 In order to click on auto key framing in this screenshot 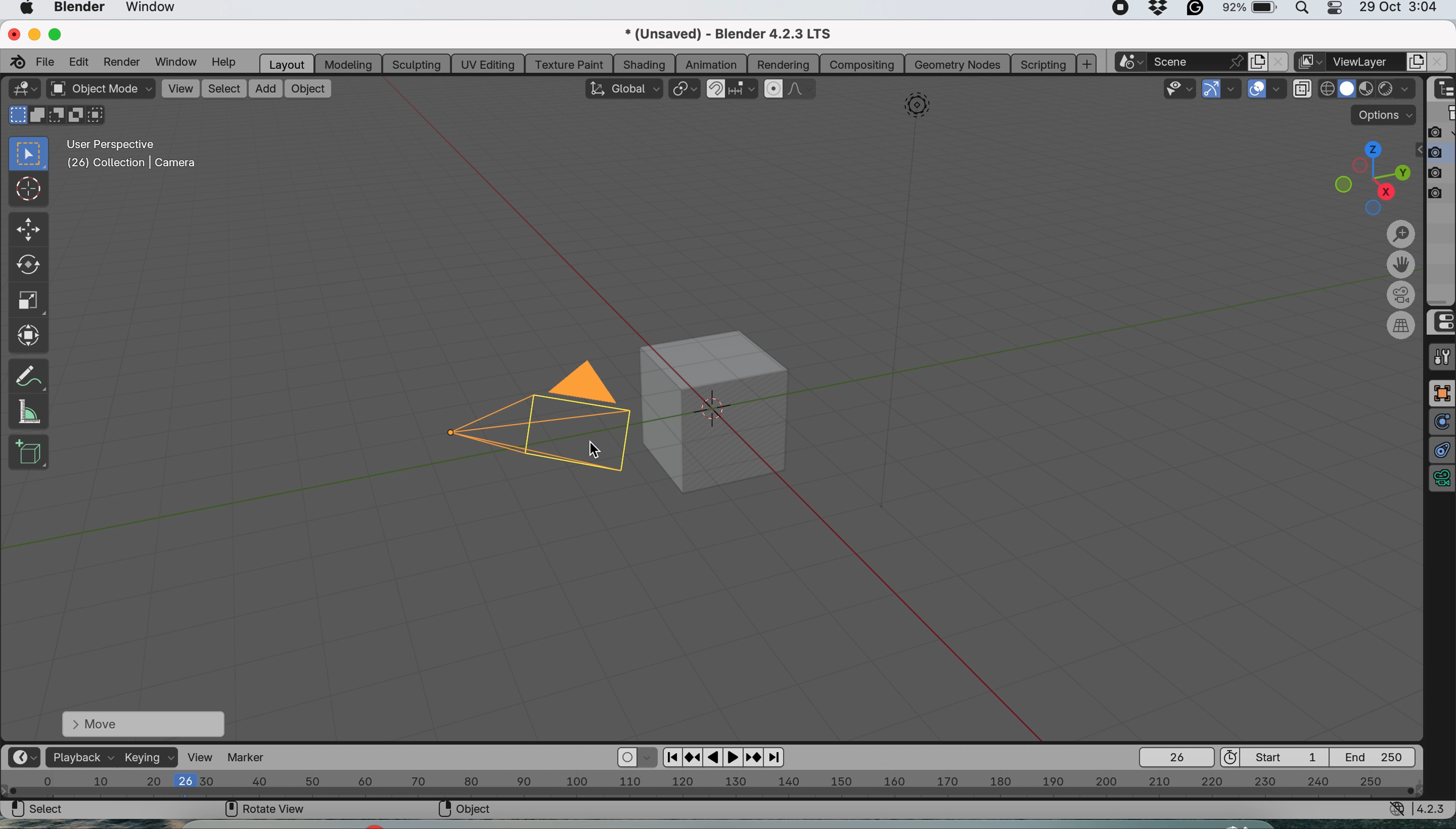, I will do `click(649, 757)`.